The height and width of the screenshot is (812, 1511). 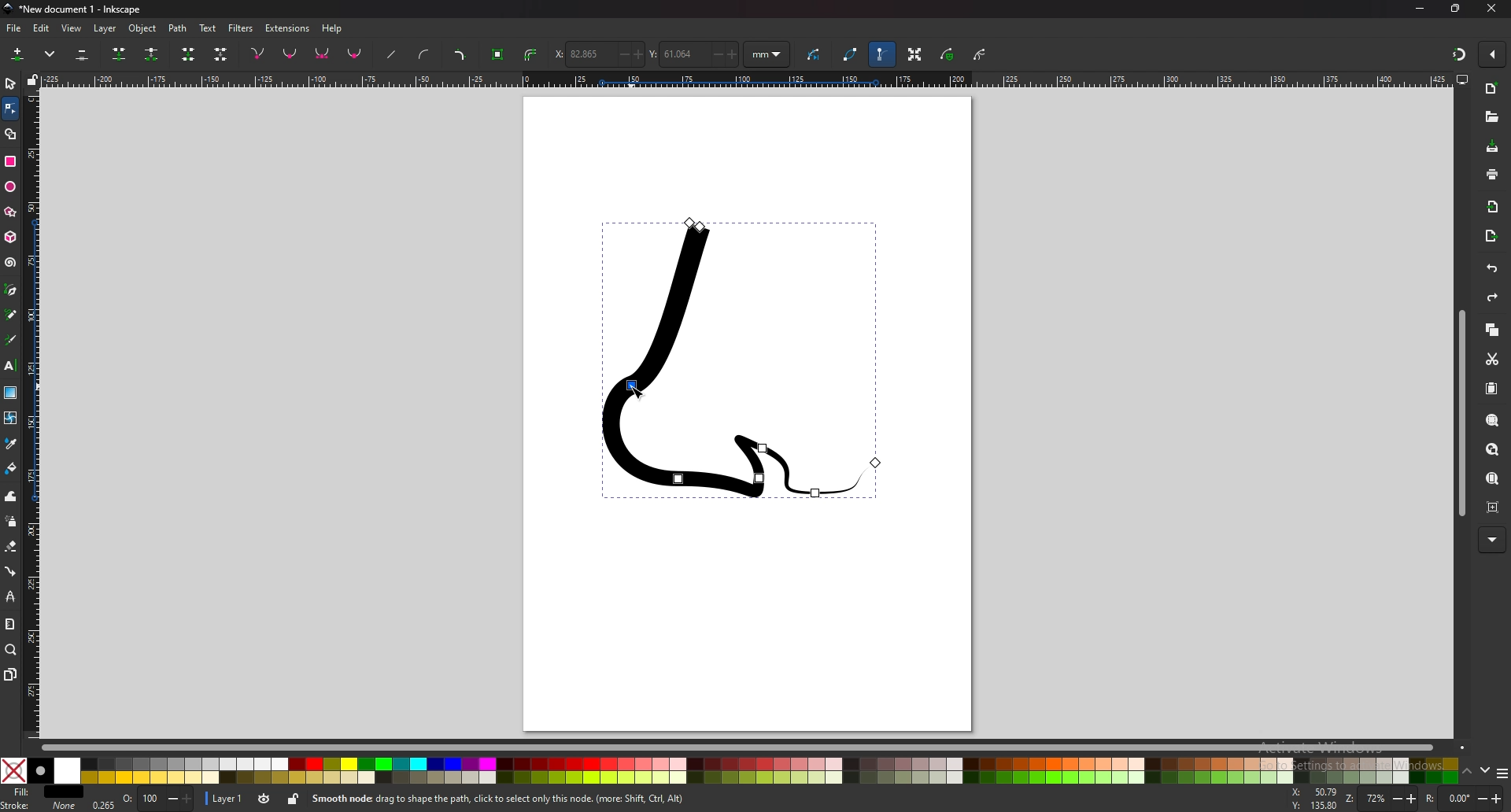 I want to click on eraser, so click(x=12, y=545).